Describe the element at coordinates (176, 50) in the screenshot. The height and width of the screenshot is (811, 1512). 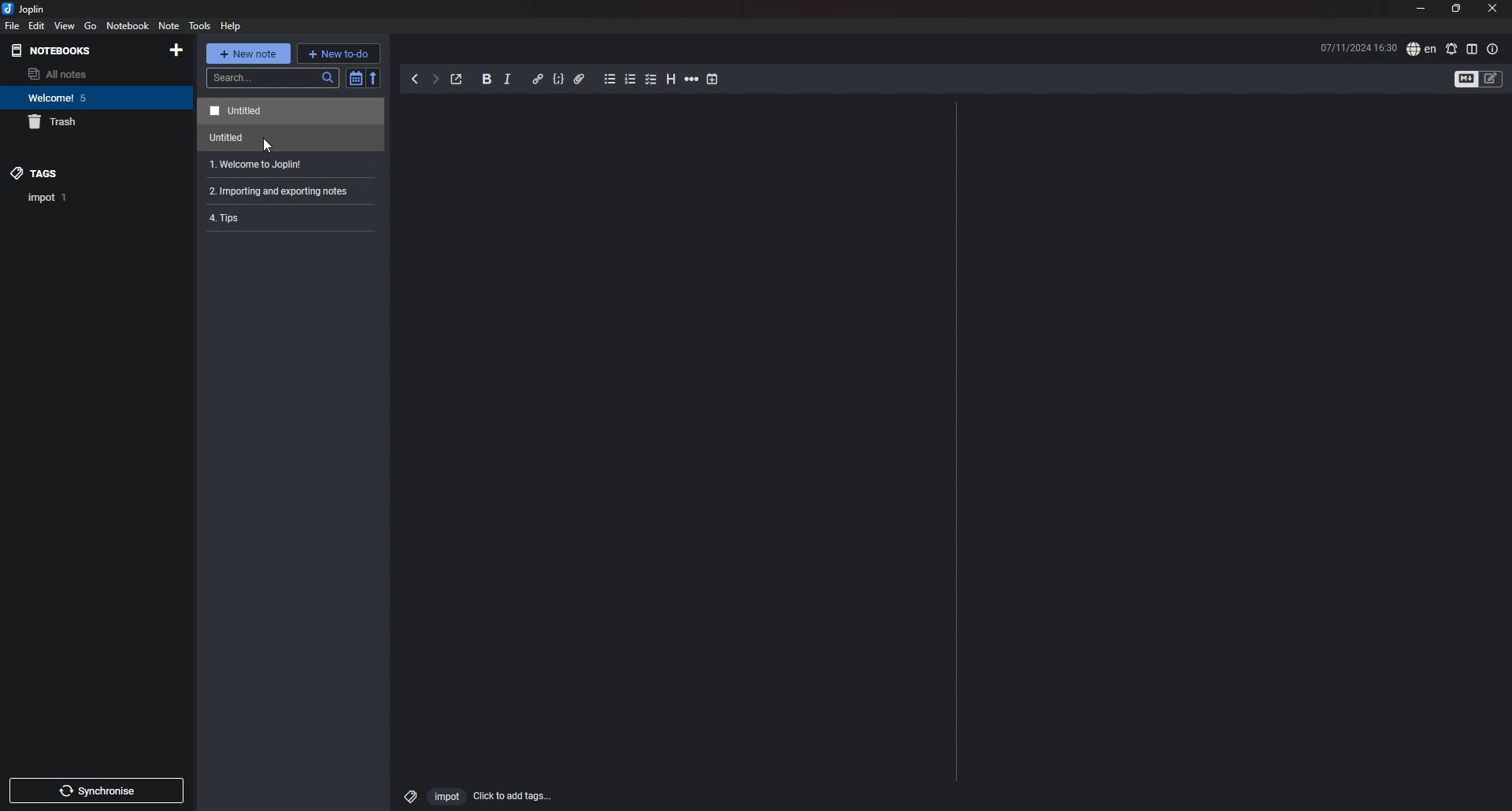
I see `add notebook` at that location.